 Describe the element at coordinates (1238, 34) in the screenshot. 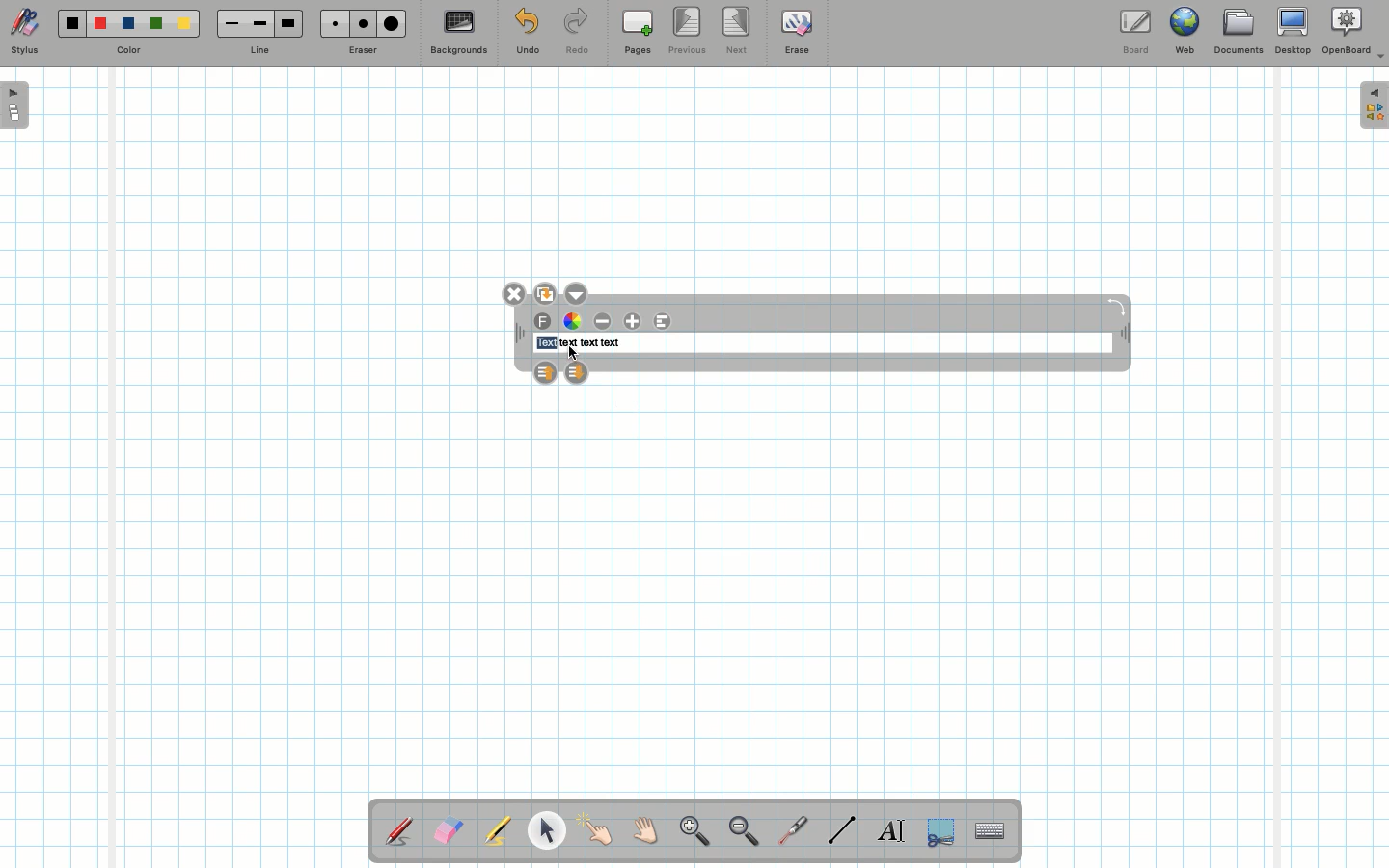

I see `Documents` at that location.